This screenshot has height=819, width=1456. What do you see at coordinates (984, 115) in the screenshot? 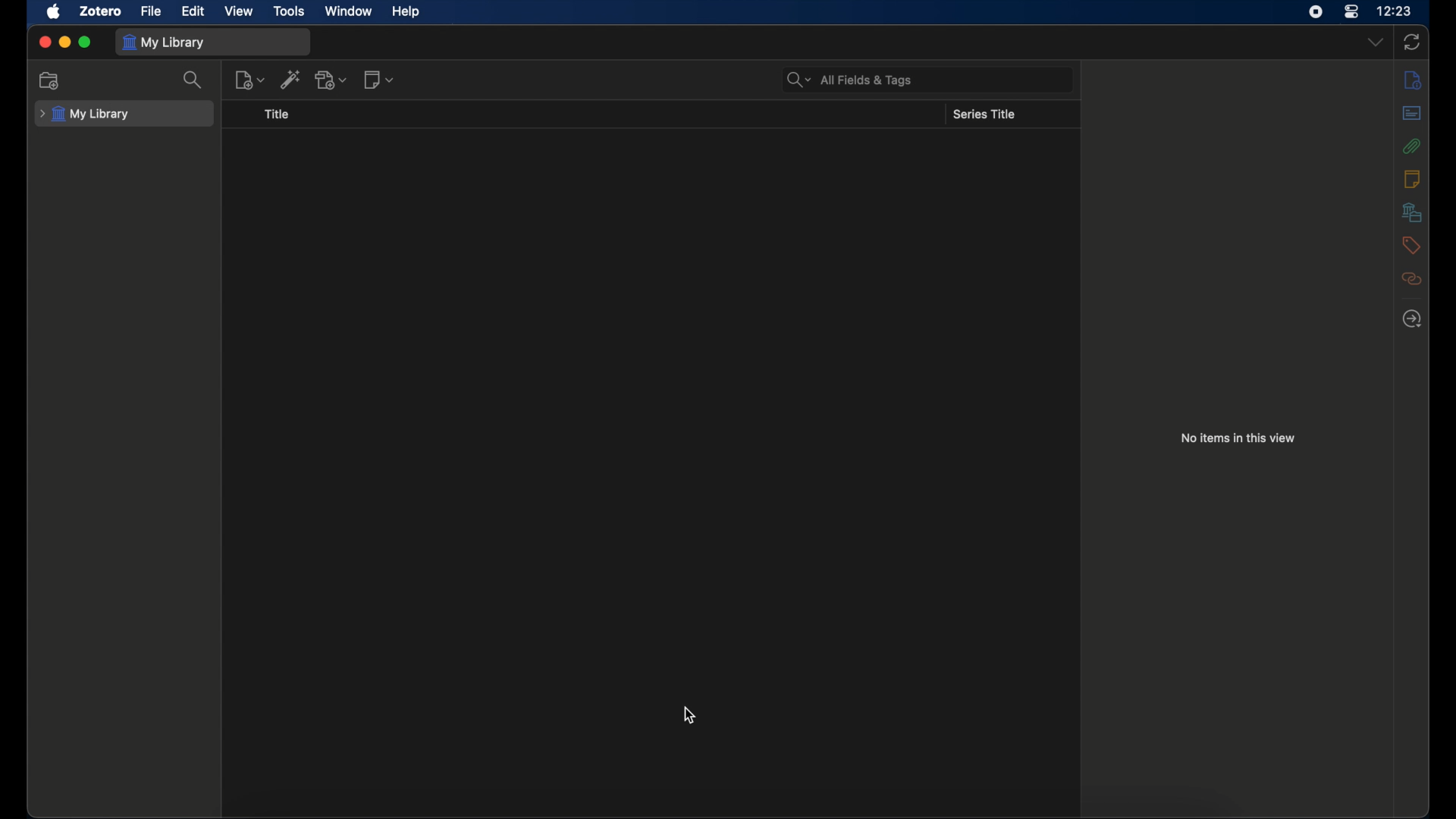
I see `series title` at bounding box center [984, 115].